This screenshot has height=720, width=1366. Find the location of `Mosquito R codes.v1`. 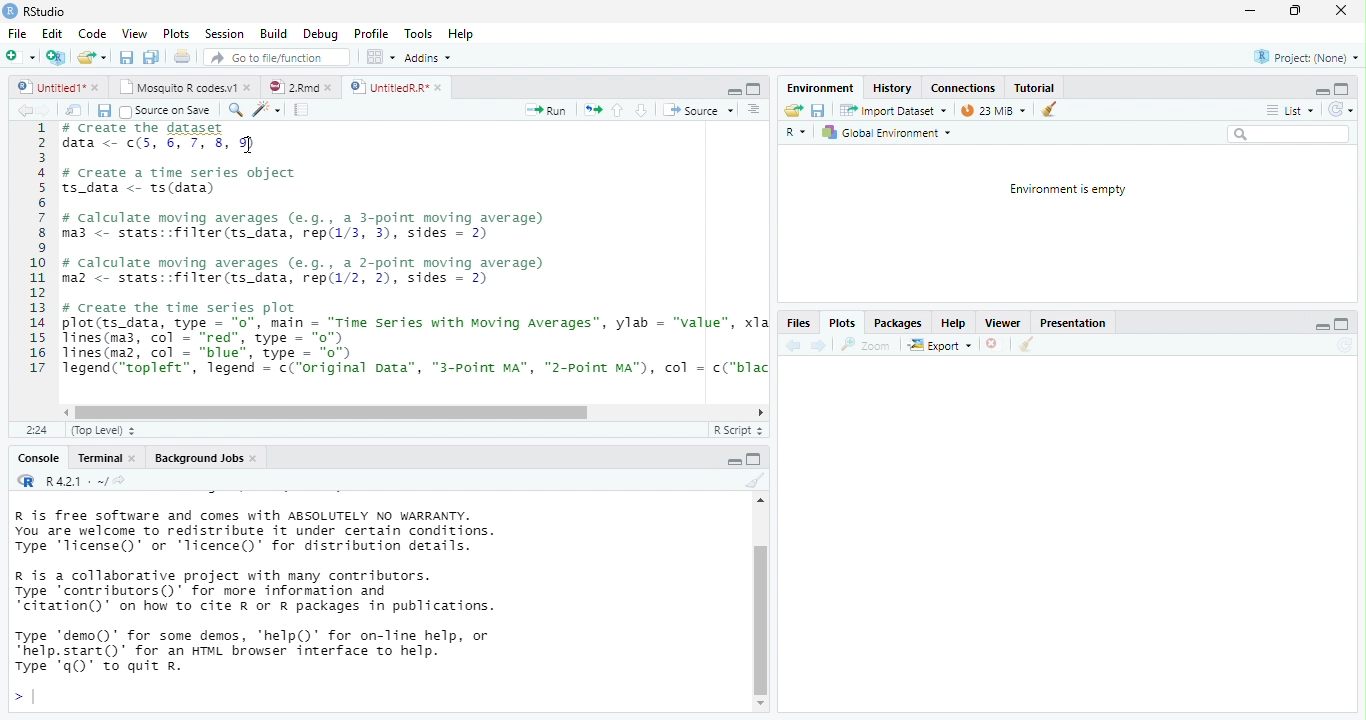

Mosquito R codes.v1 is located at coordinates (180, 86).